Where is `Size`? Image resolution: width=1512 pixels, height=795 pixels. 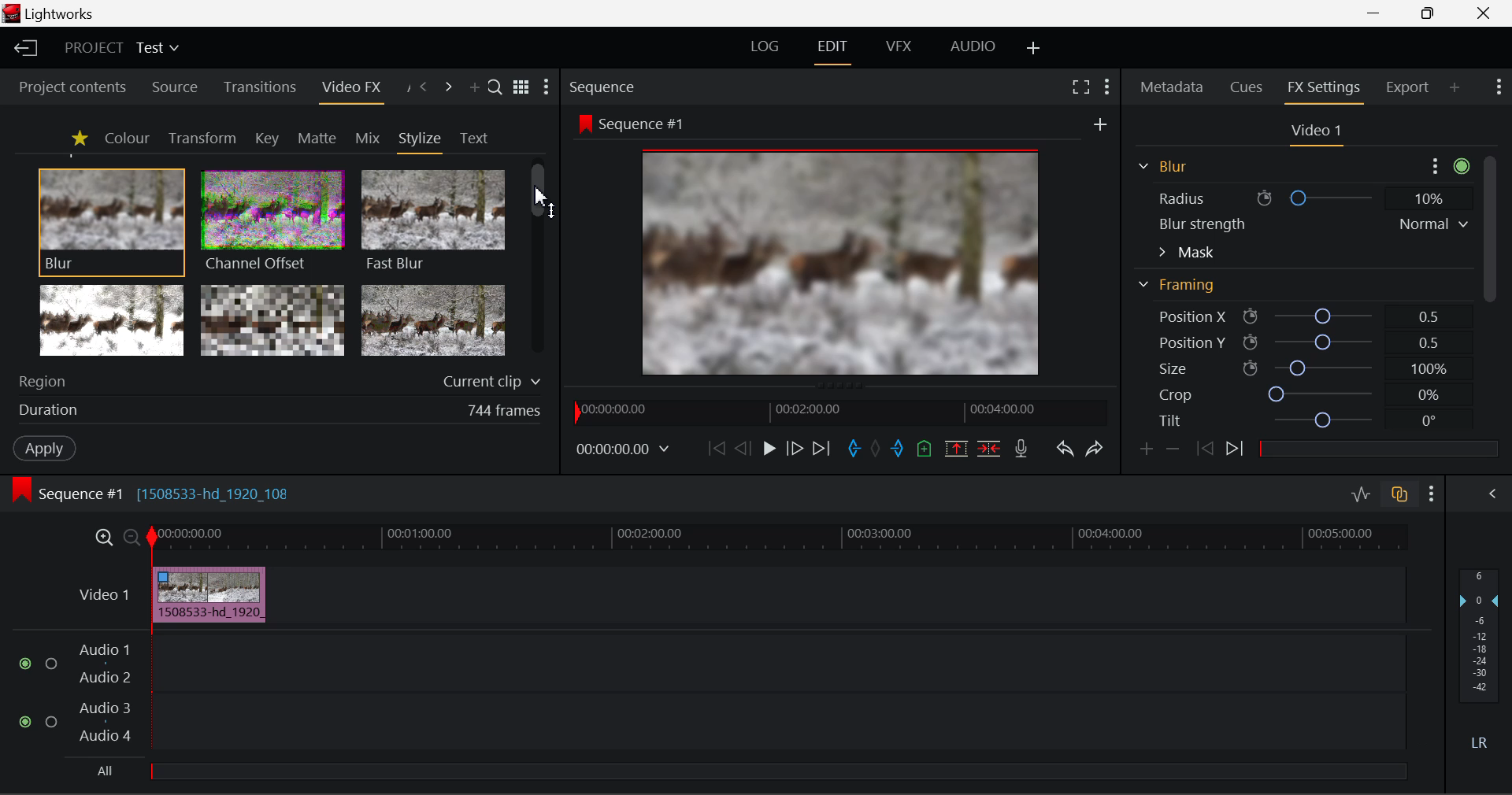
Size is located at coordinates (1299, 368).